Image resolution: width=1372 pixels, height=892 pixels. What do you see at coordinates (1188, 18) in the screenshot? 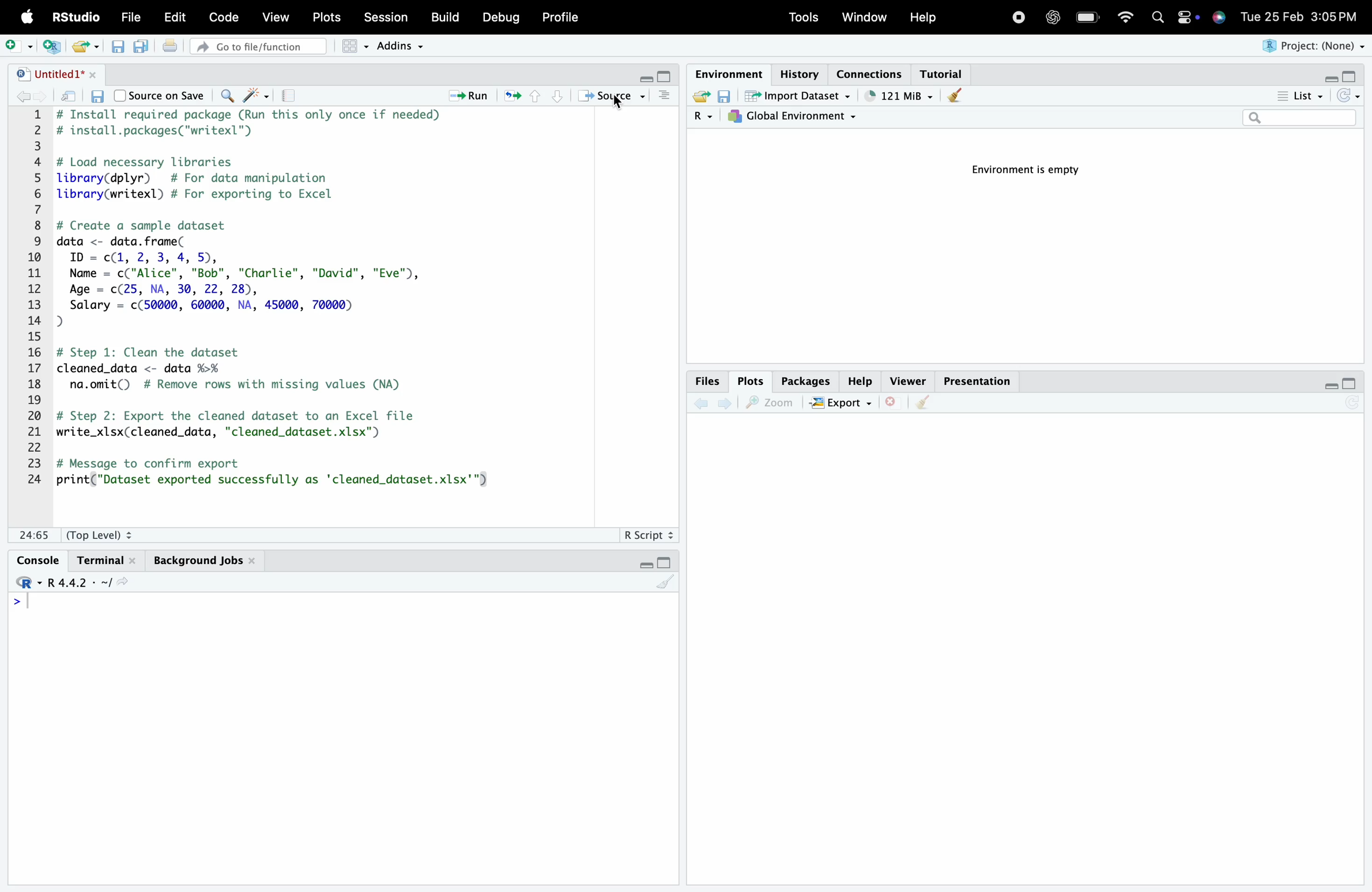
I see `Apple widget` at bounding box center [1188, 18].